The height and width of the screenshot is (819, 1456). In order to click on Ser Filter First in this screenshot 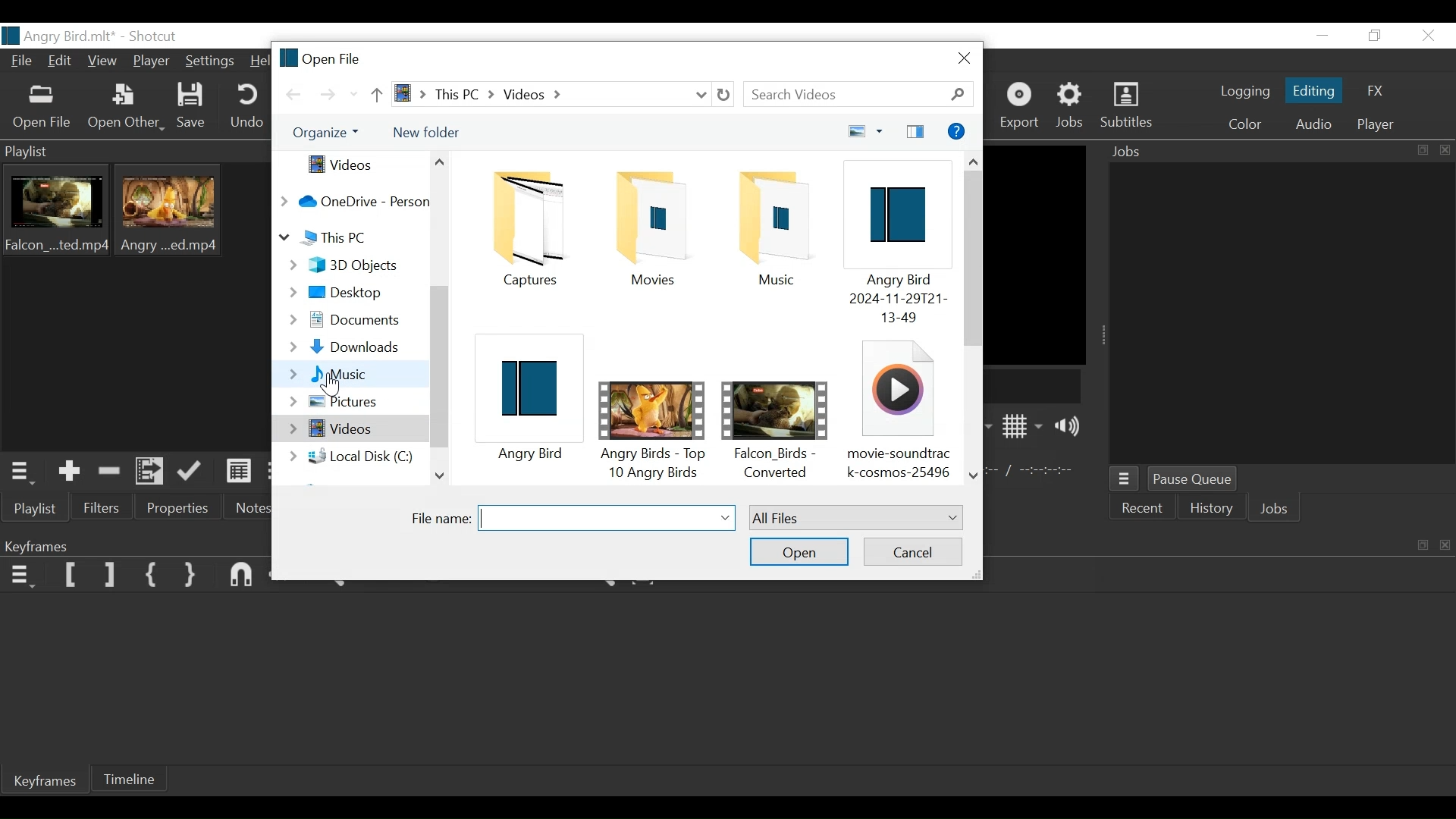, I will do `click(71, 575)`.